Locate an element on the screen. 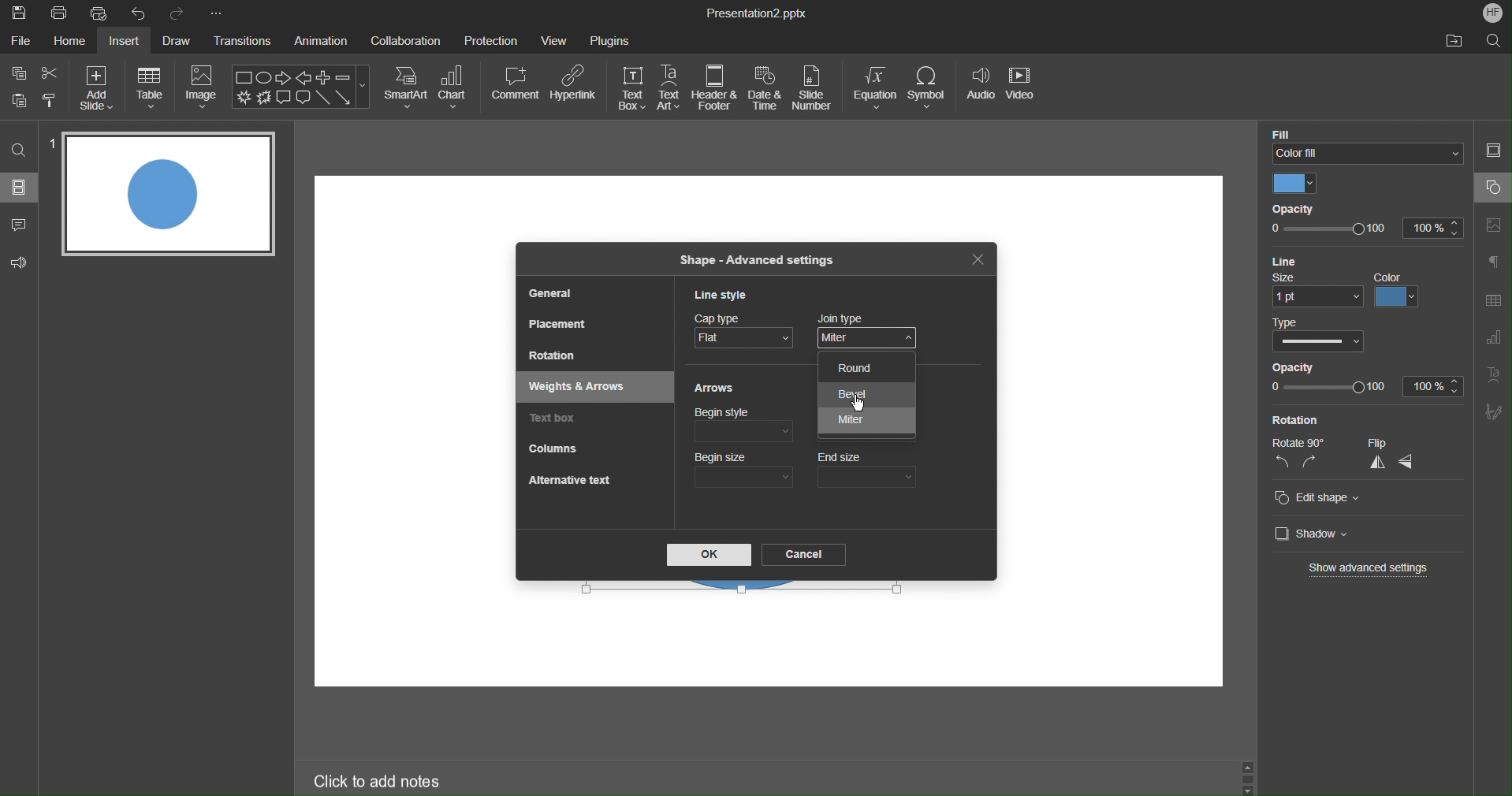 The height and width of the screenshot is (796, 1512). Equation is located at coordinates (875, 88).